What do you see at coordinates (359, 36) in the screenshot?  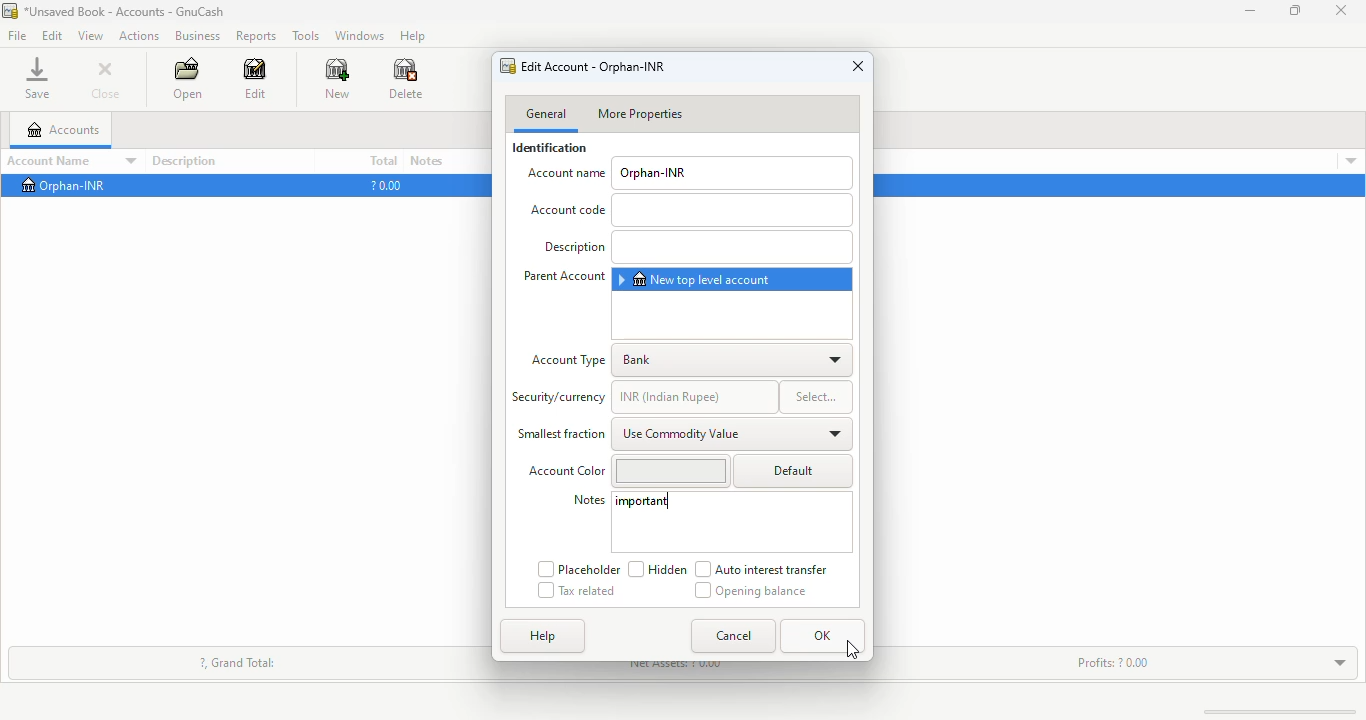 I see `windows` at bounding box center [359, 36].